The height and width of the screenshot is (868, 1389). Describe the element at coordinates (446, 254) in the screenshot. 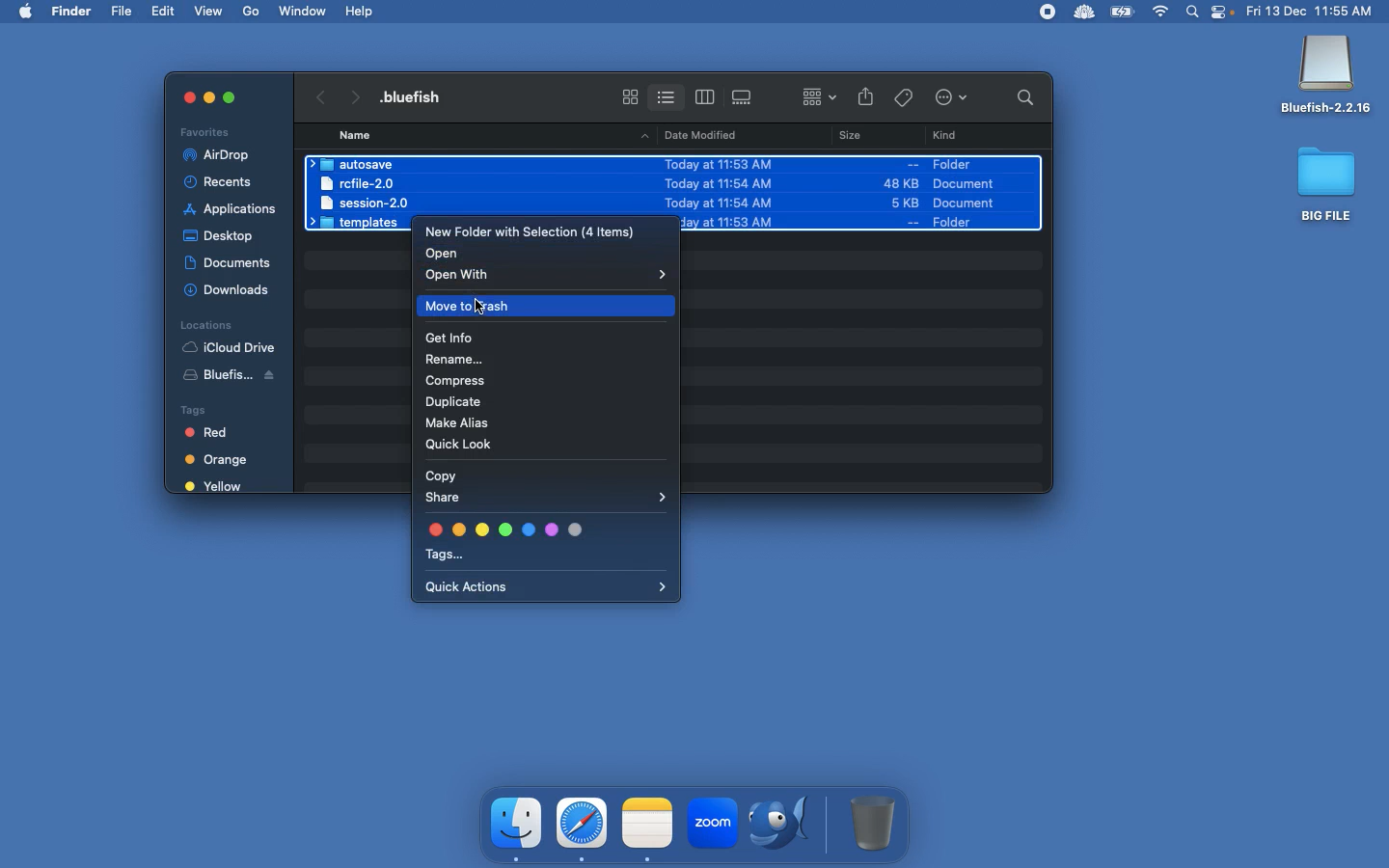

I see `Open` at that location.